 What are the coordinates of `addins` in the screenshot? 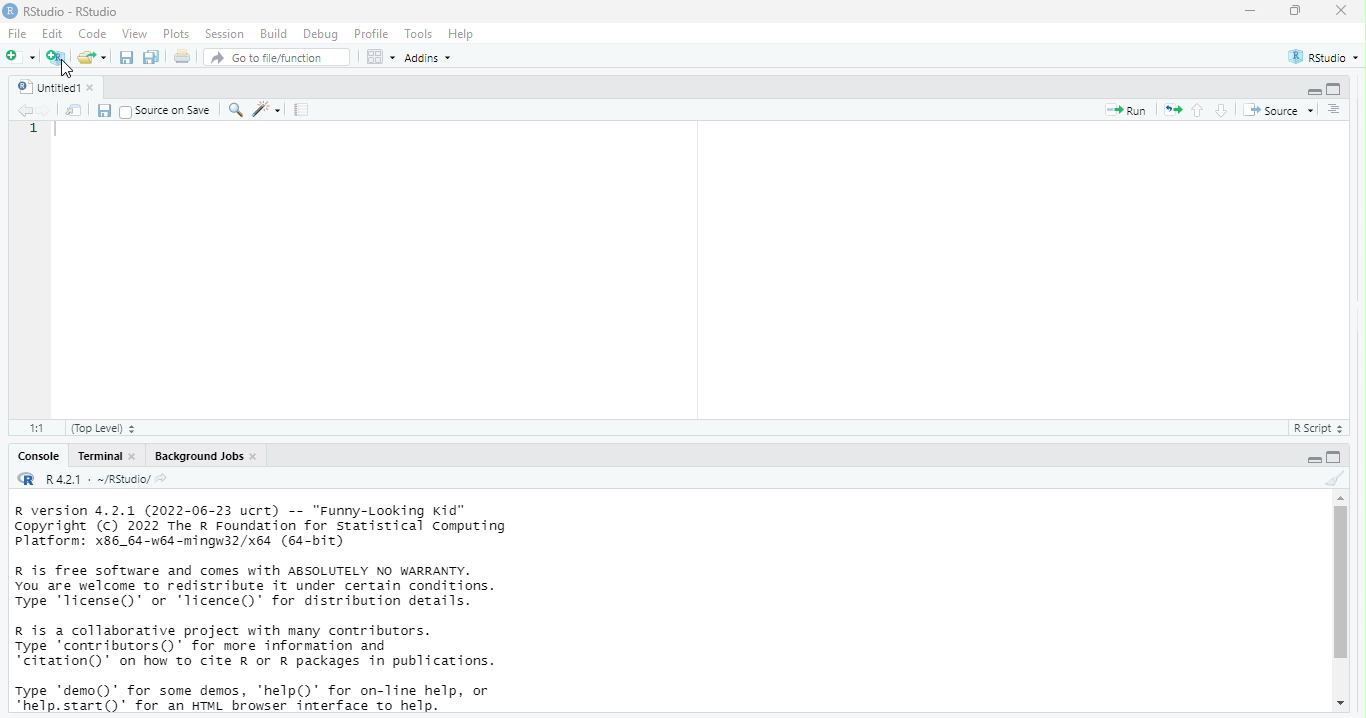 It's located at (431, 56).